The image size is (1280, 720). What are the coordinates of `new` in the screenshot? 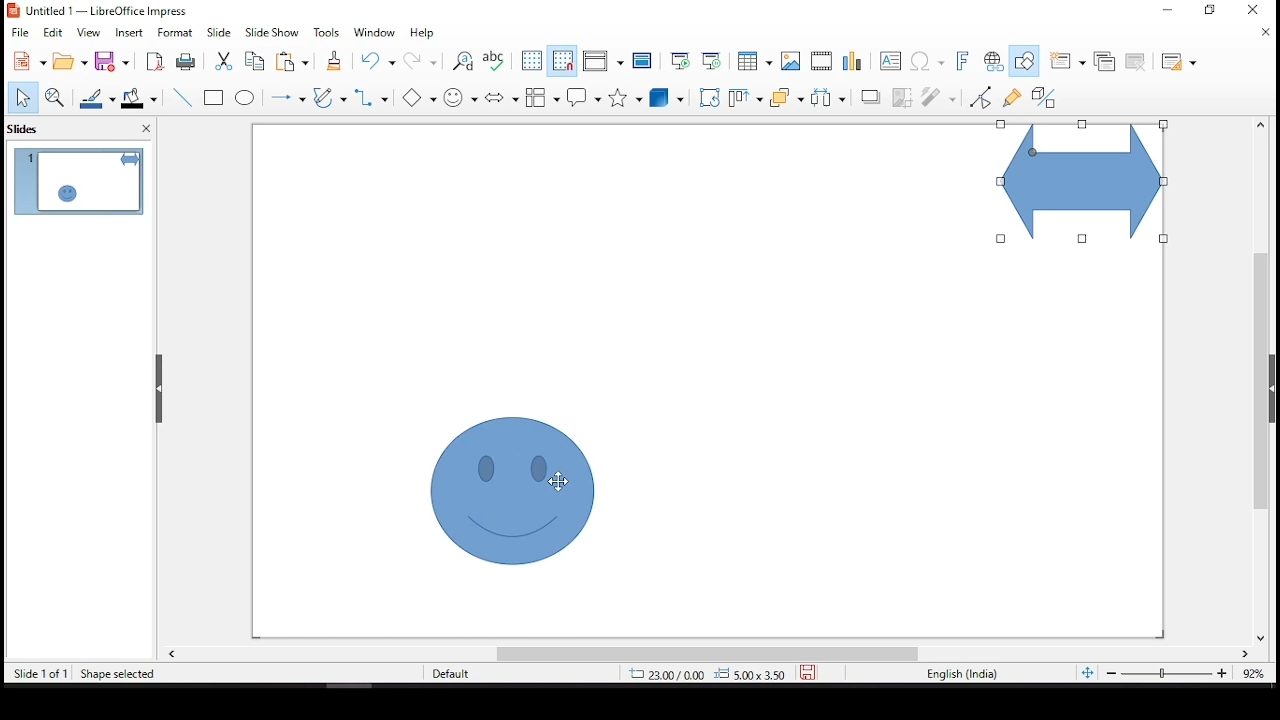 It's located at (25, 62).